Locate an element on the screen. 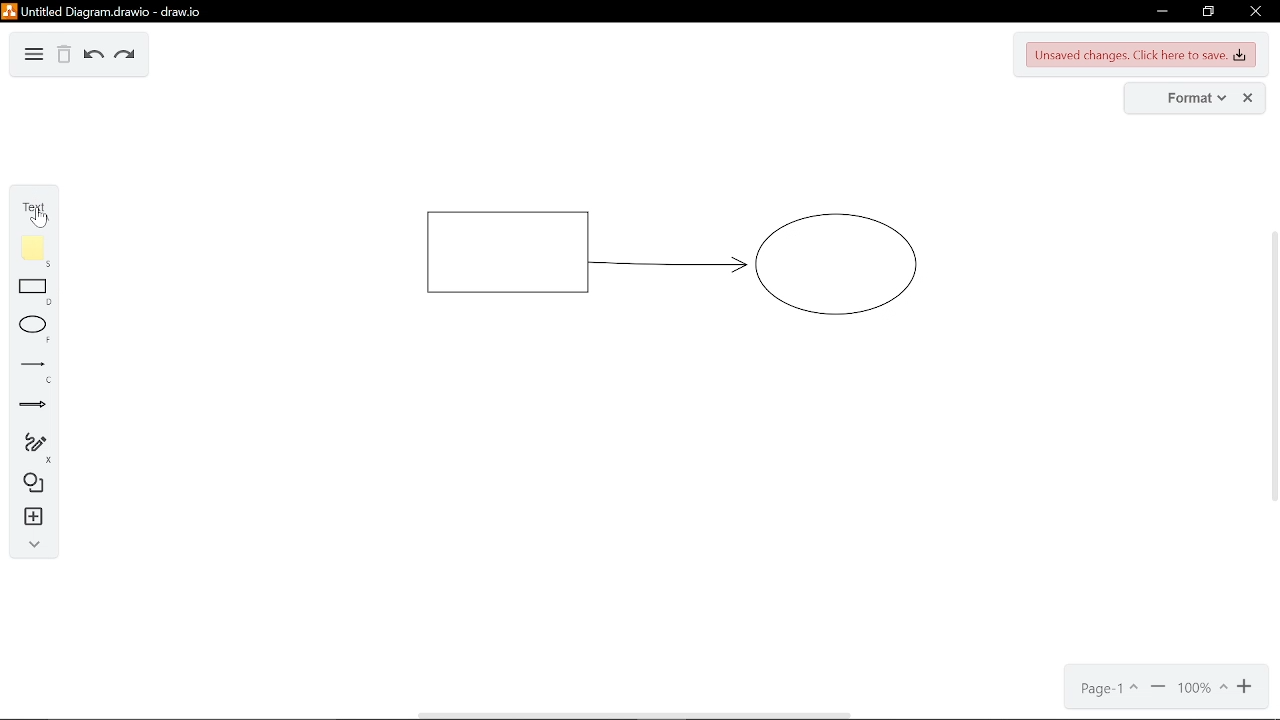 The height and width of the screenshot is (720, 1280). zoom in  is located at coordinates (1158, 689).